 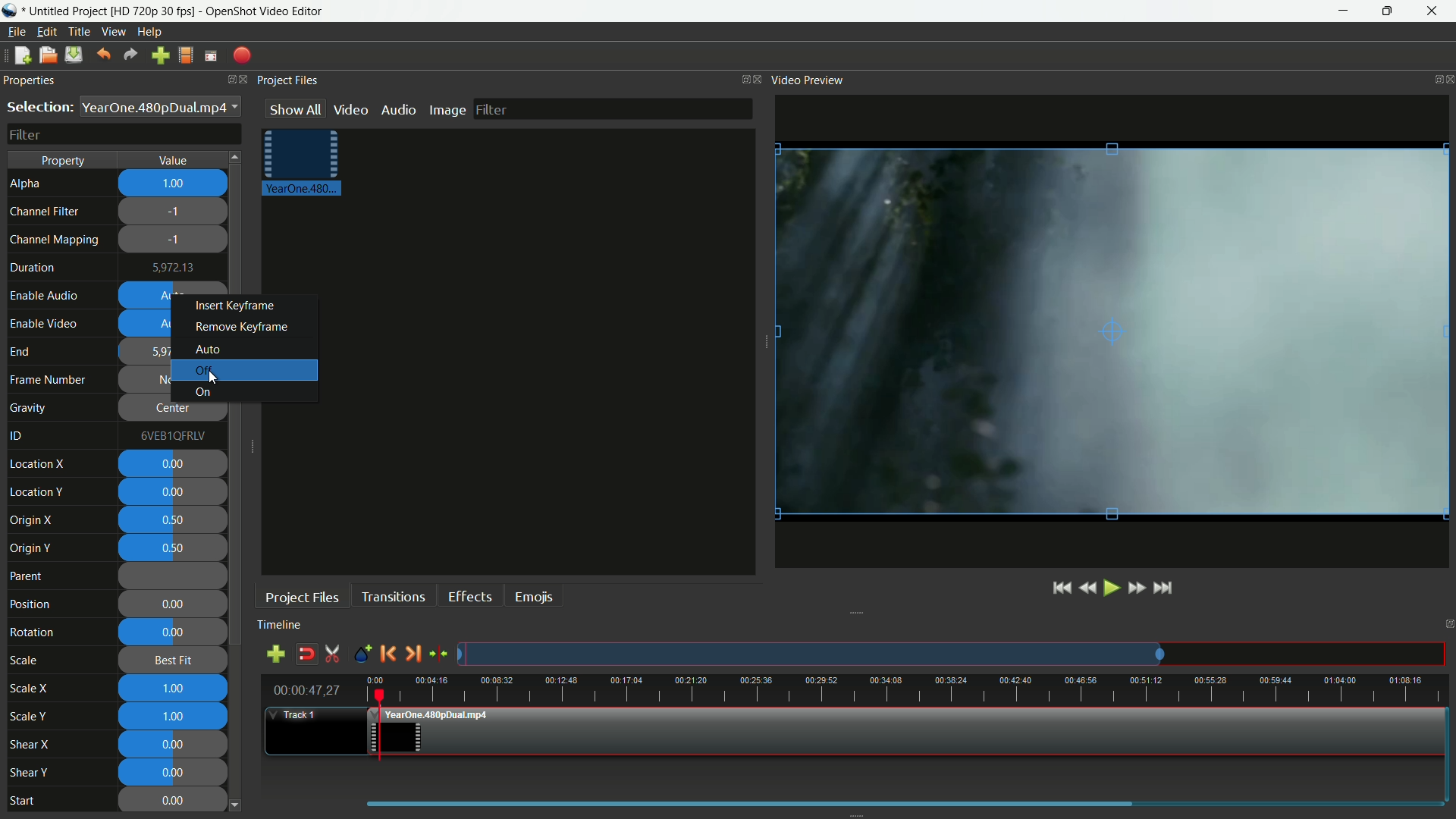 I want to click on duration, so click(x=30, y=268).